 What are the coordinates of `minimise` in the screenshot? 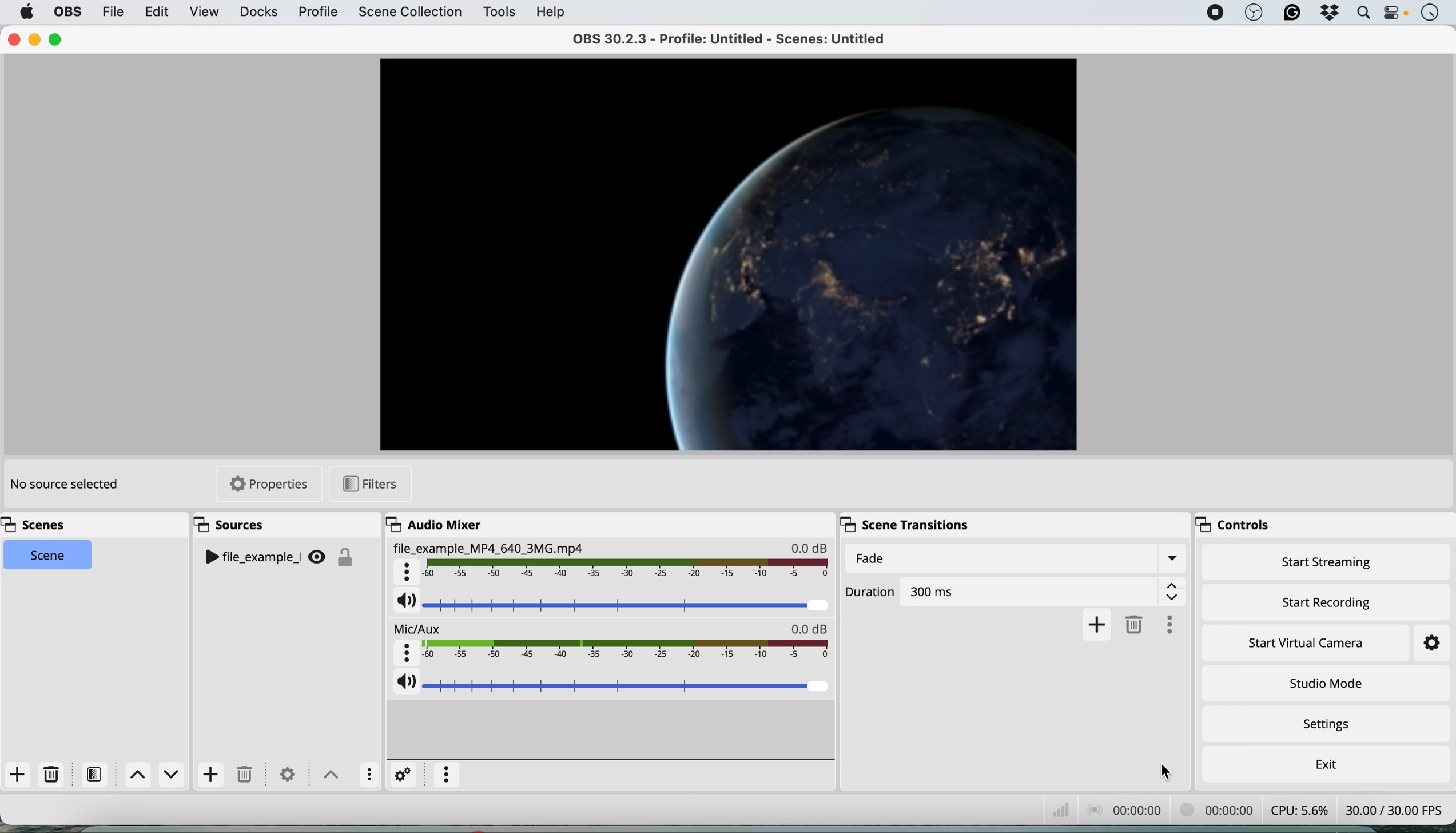 It's located at (34, 39).